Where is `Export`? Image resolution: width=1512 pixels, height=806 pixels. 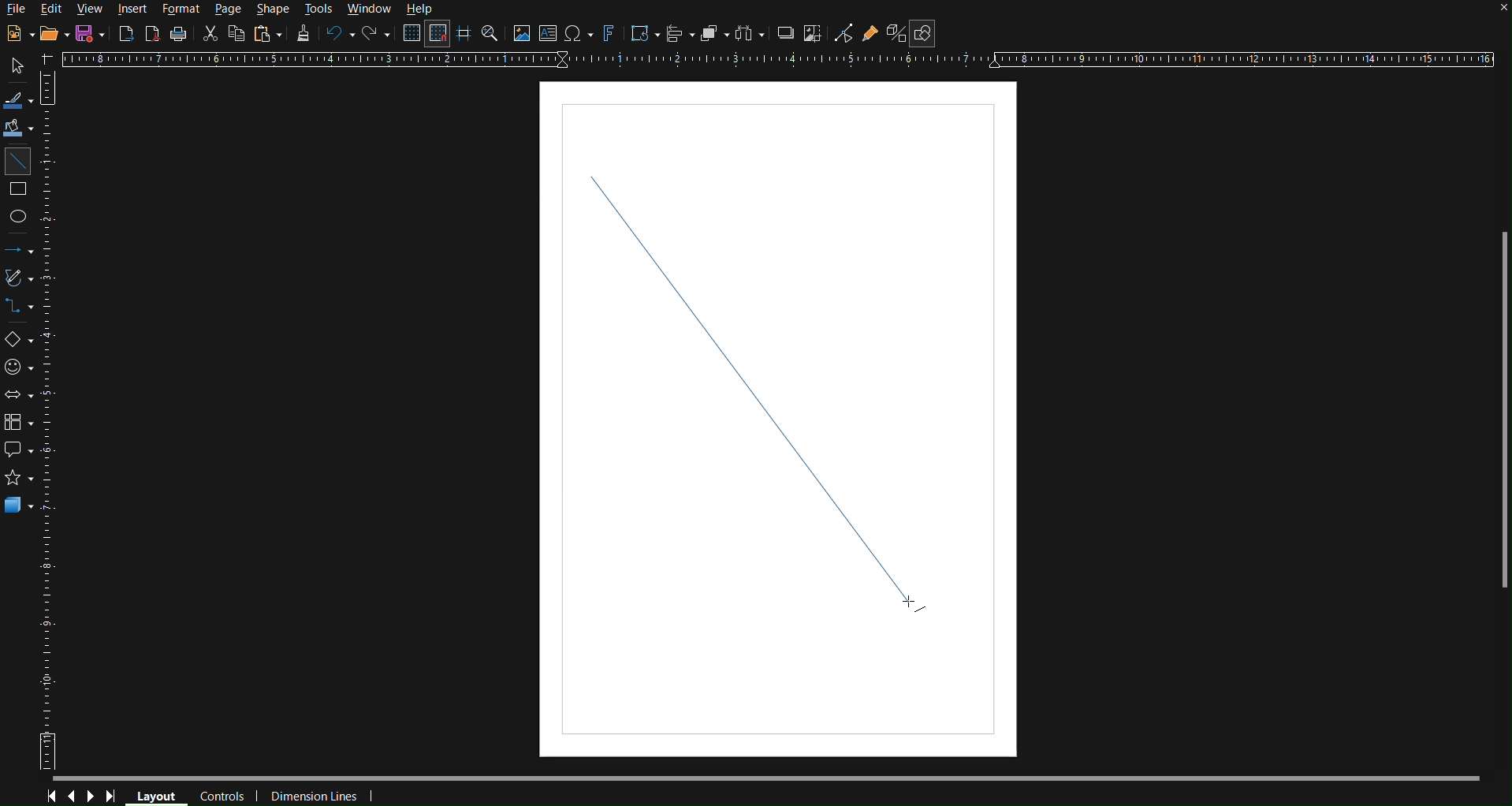 Export is located at coordinates (126, 33).